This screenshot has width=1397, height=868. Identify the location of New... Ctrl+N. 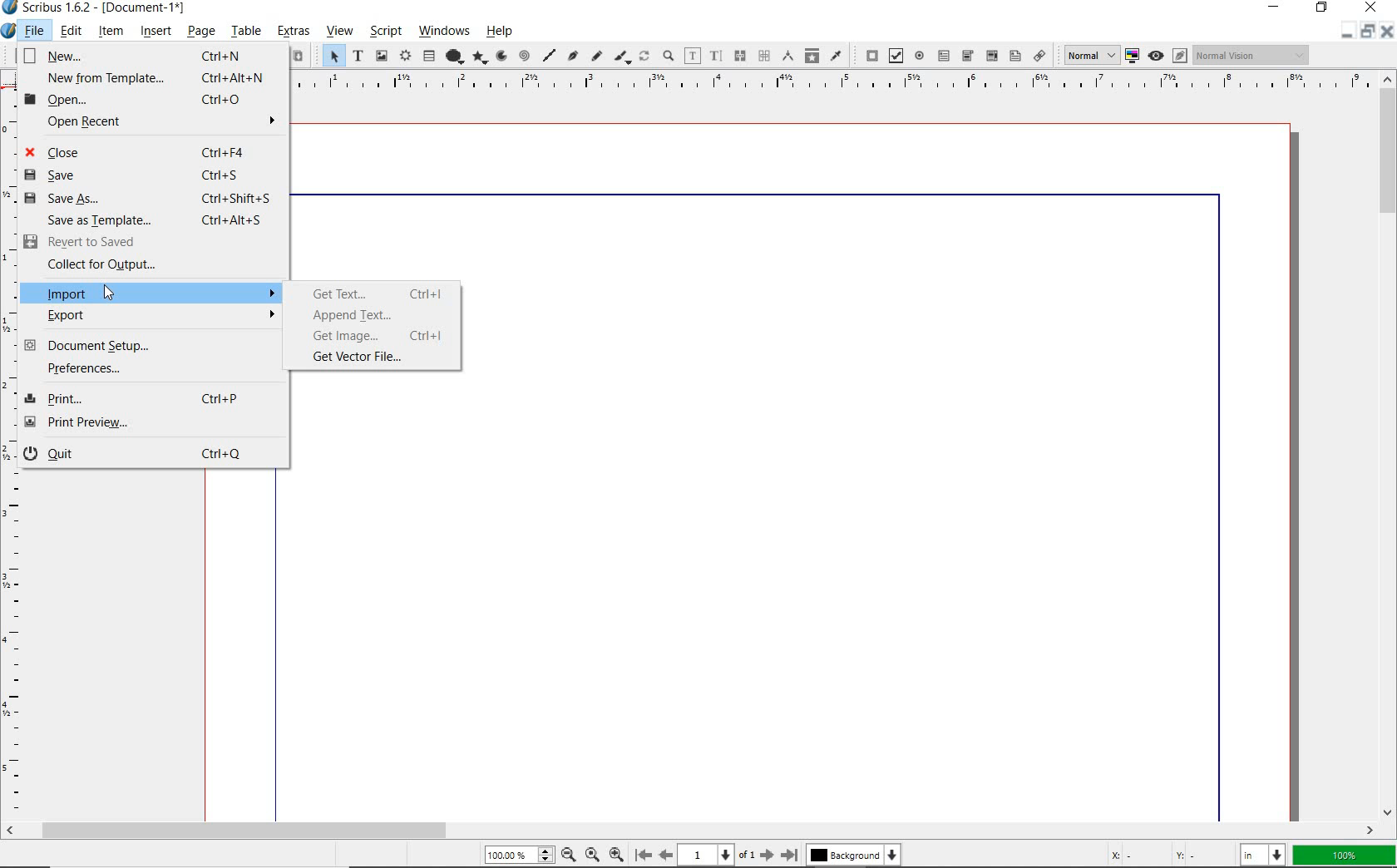
(152, 55).